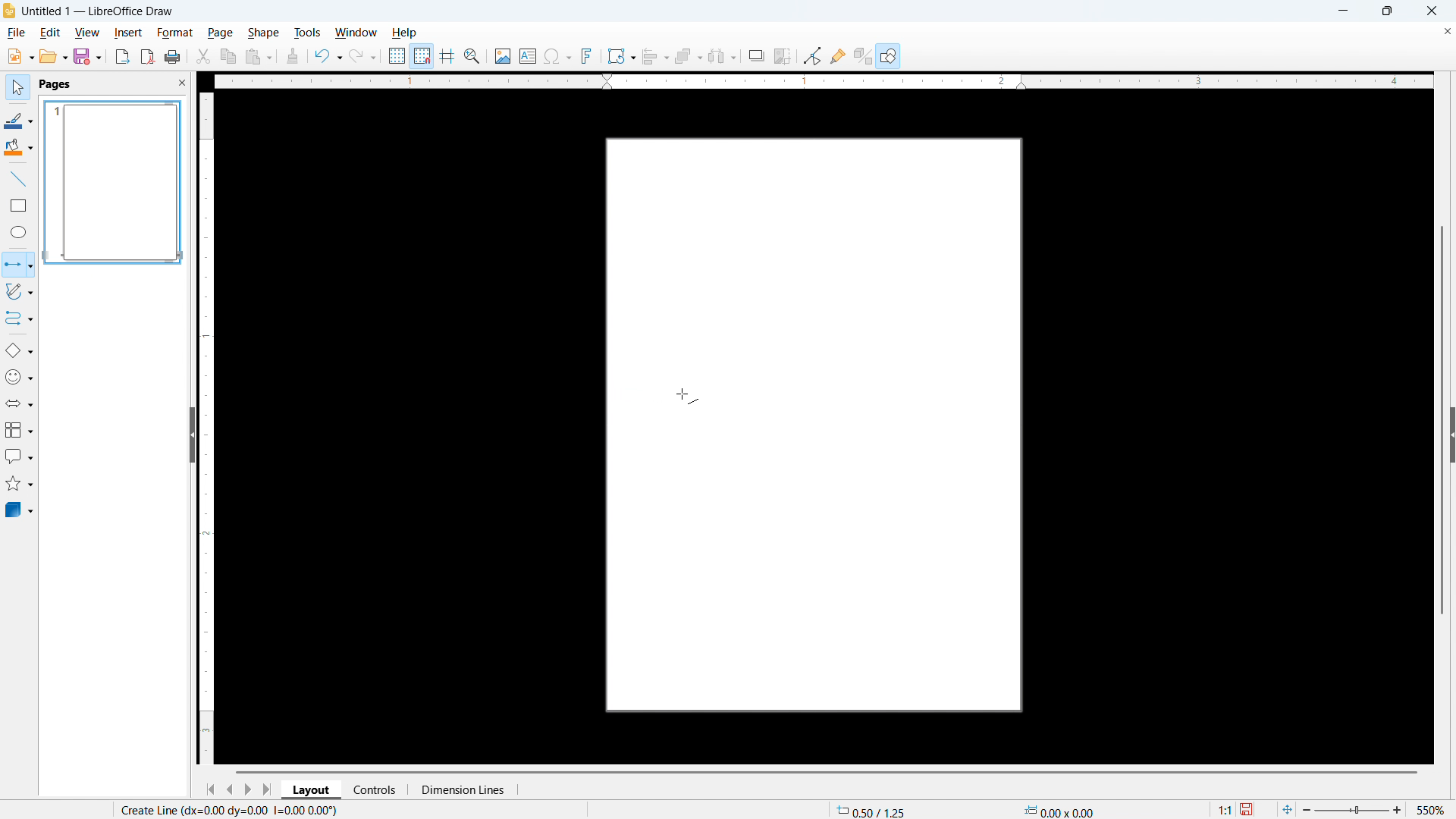 The width and height of the screenshot is (1456, 819). Describe the element at coordinates (1431, 11) in the screenshot. I see `close ` at that location.